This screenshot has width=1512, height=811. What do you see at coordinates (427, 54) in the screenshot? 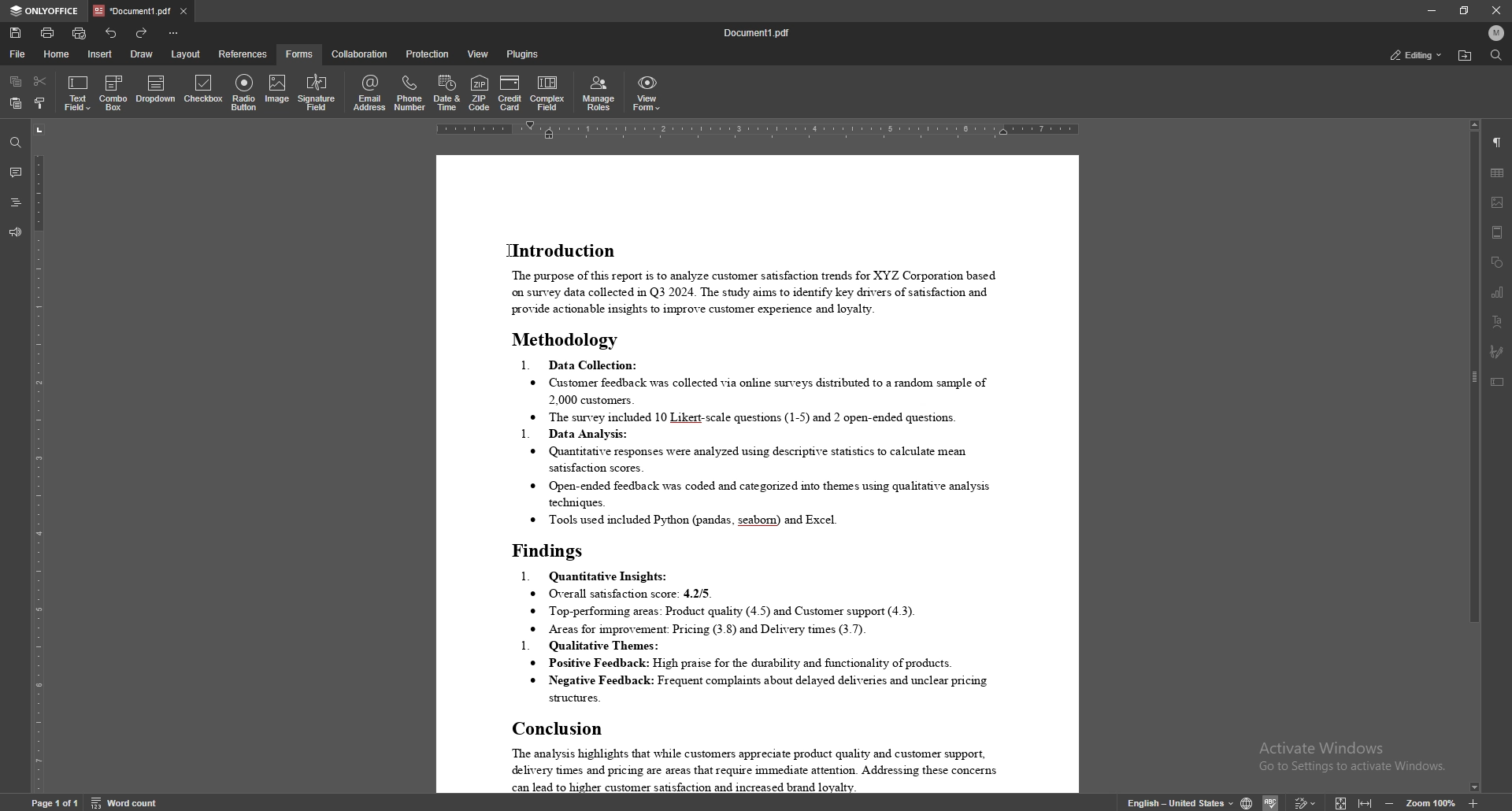
I see `protection` at bounding box center [427, 54].